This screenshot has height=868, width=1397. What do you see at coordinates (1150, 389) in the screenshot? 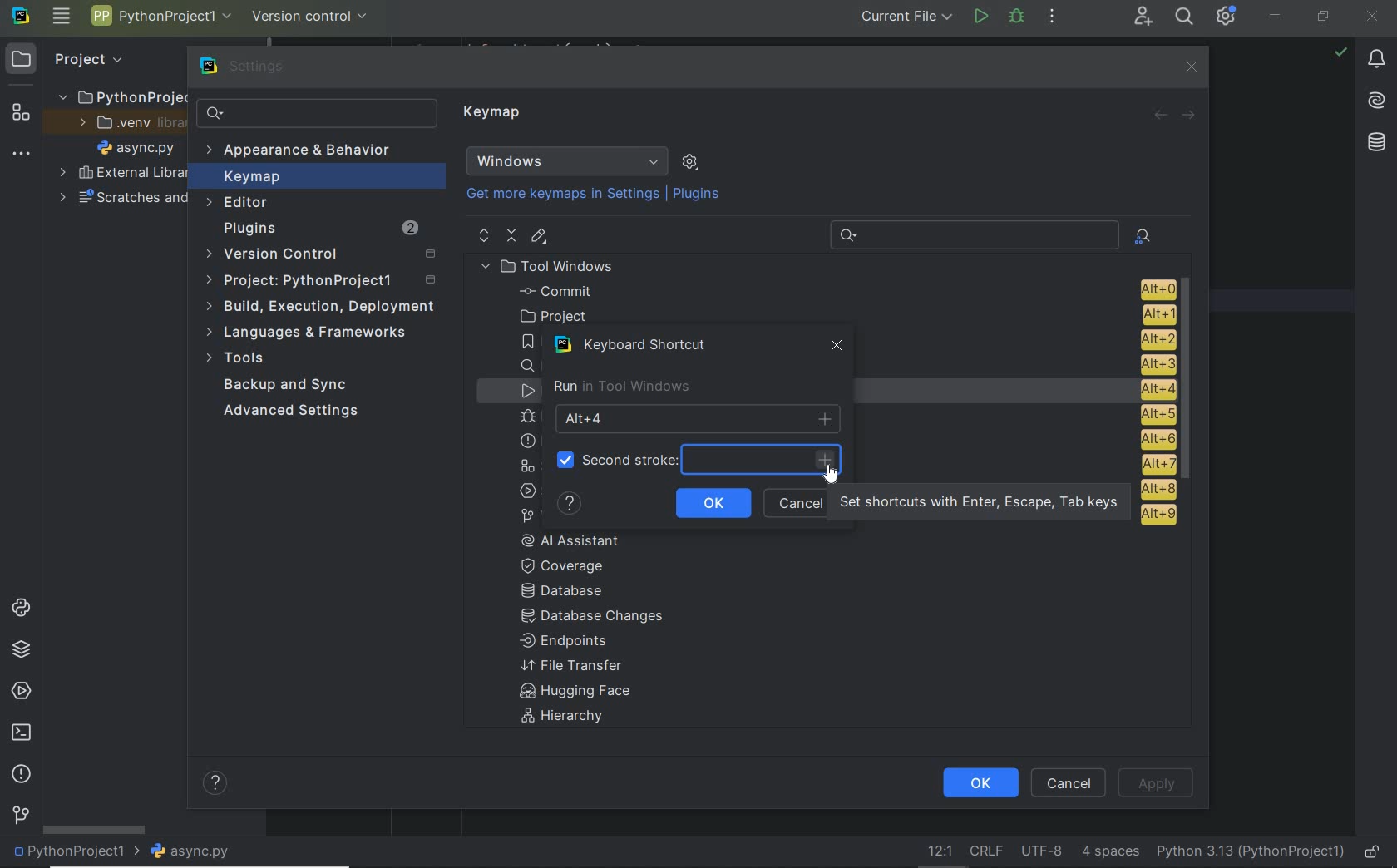
I see `alt + 4` at bounding box center [1150, 389].